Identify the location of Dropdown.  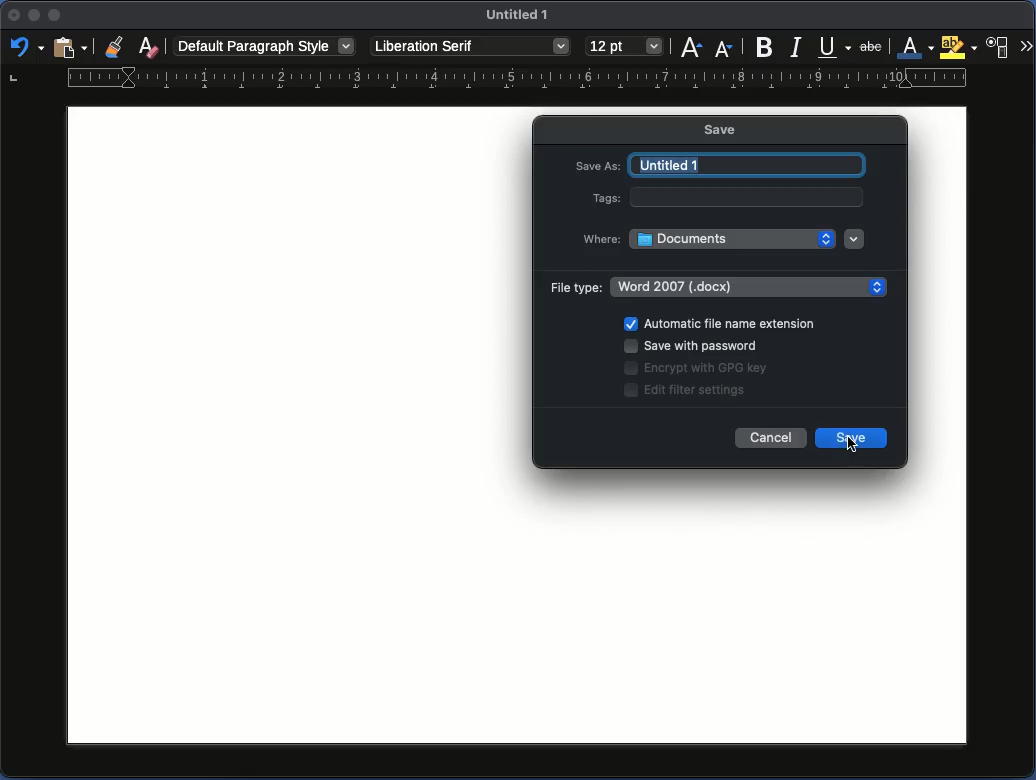
(855, 238).